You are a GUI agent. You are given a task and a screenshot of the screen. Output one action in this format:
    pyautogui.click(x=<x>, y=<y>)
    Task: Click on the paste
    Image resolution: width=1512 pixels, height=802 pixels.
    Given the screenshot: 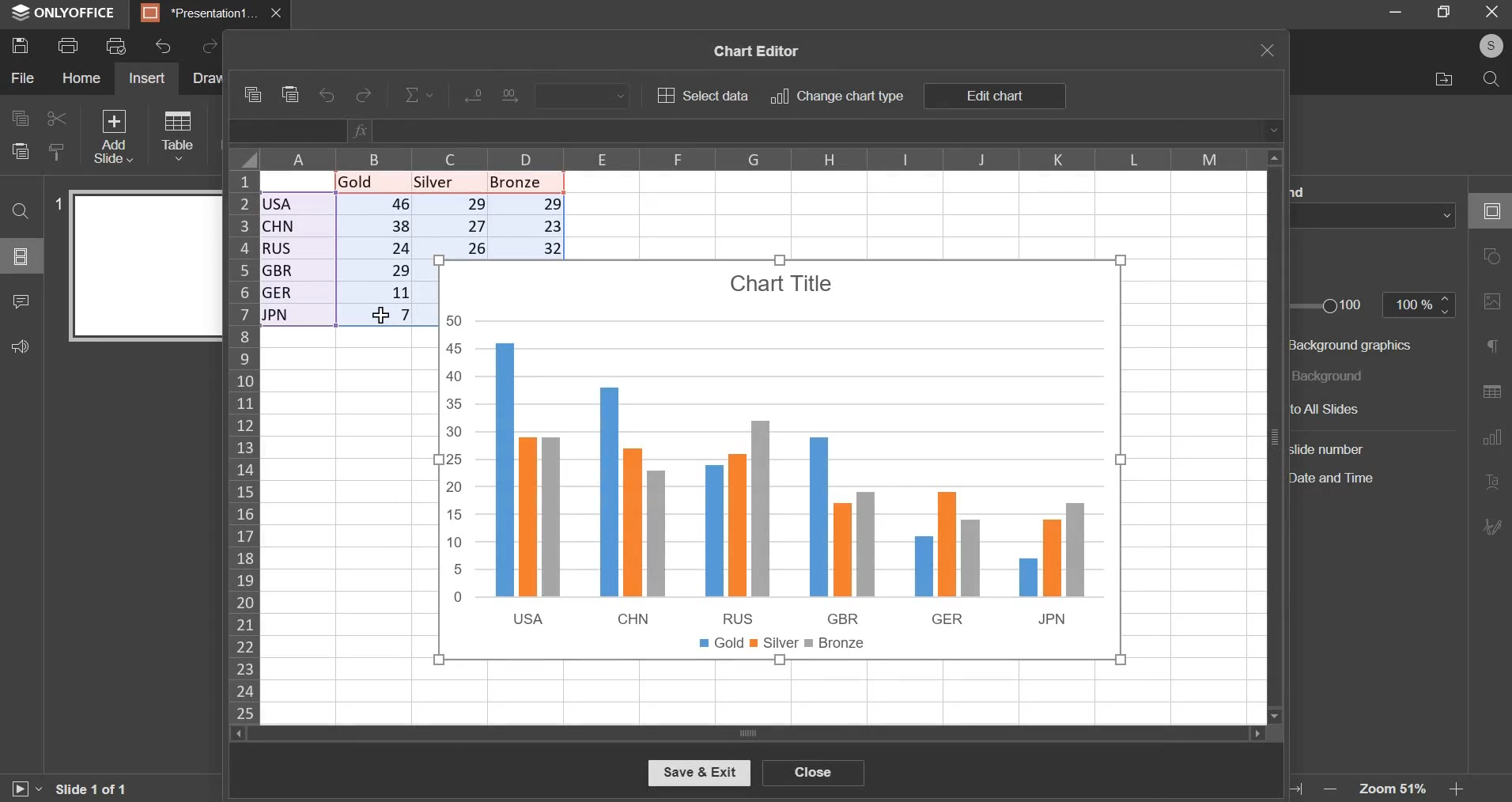 What is the action you would take?
    pyautogui.click(x=20, y=152)
    